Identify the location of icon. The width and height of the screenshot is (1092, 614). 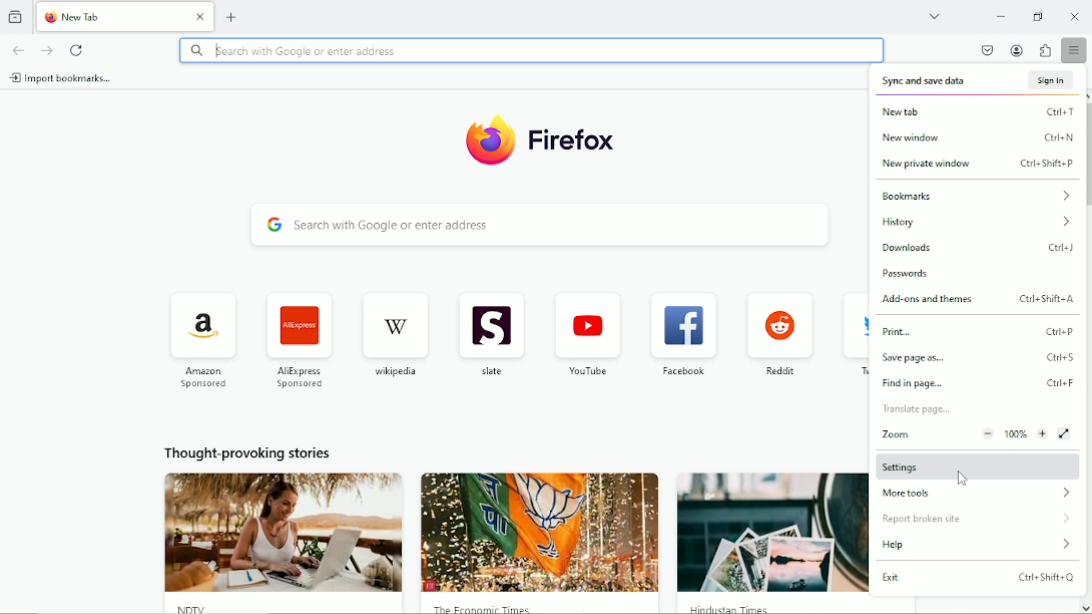
(488, 322).